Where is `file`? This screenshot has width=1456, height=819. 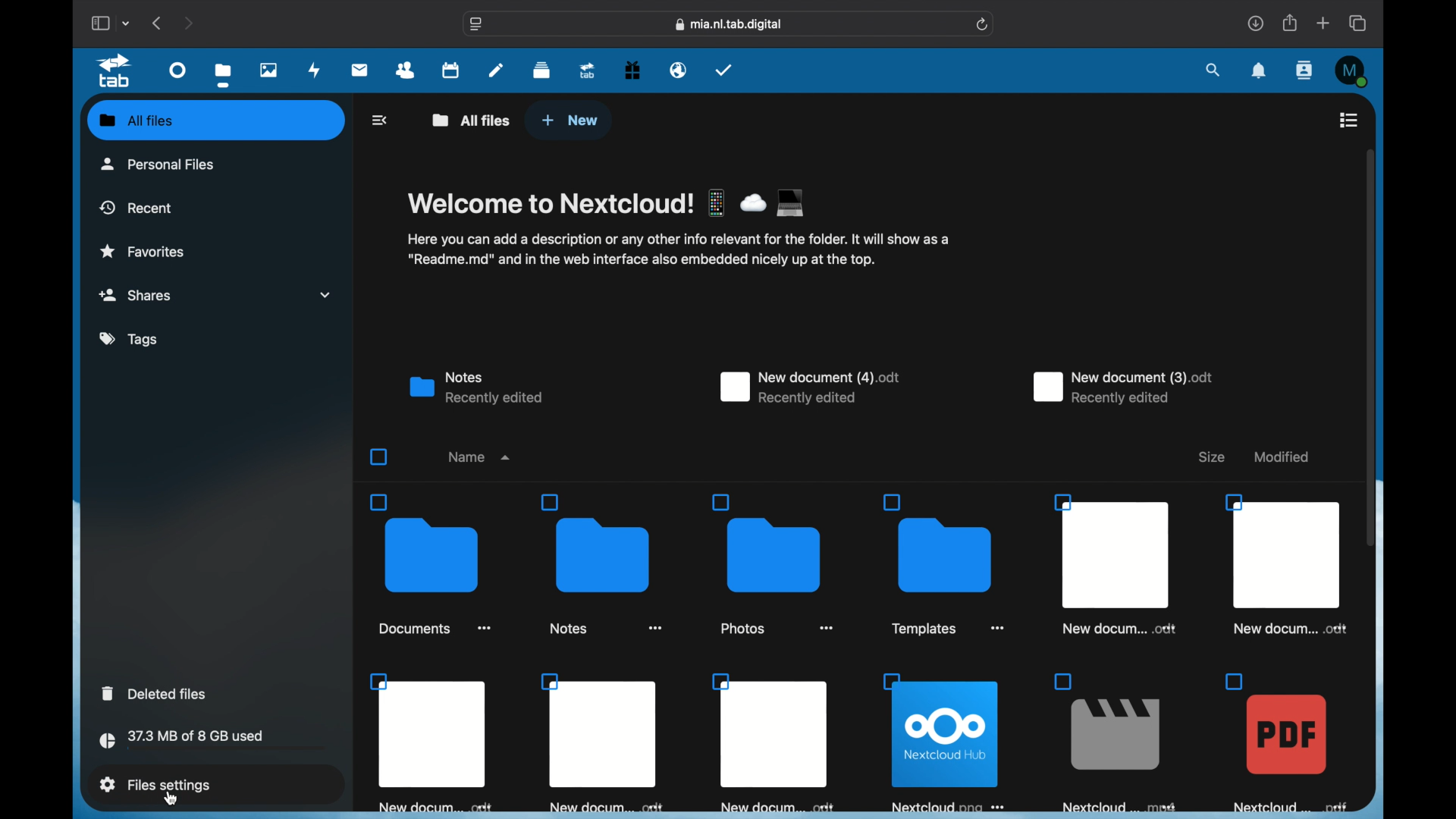
file is located at coordinates (601, 563).